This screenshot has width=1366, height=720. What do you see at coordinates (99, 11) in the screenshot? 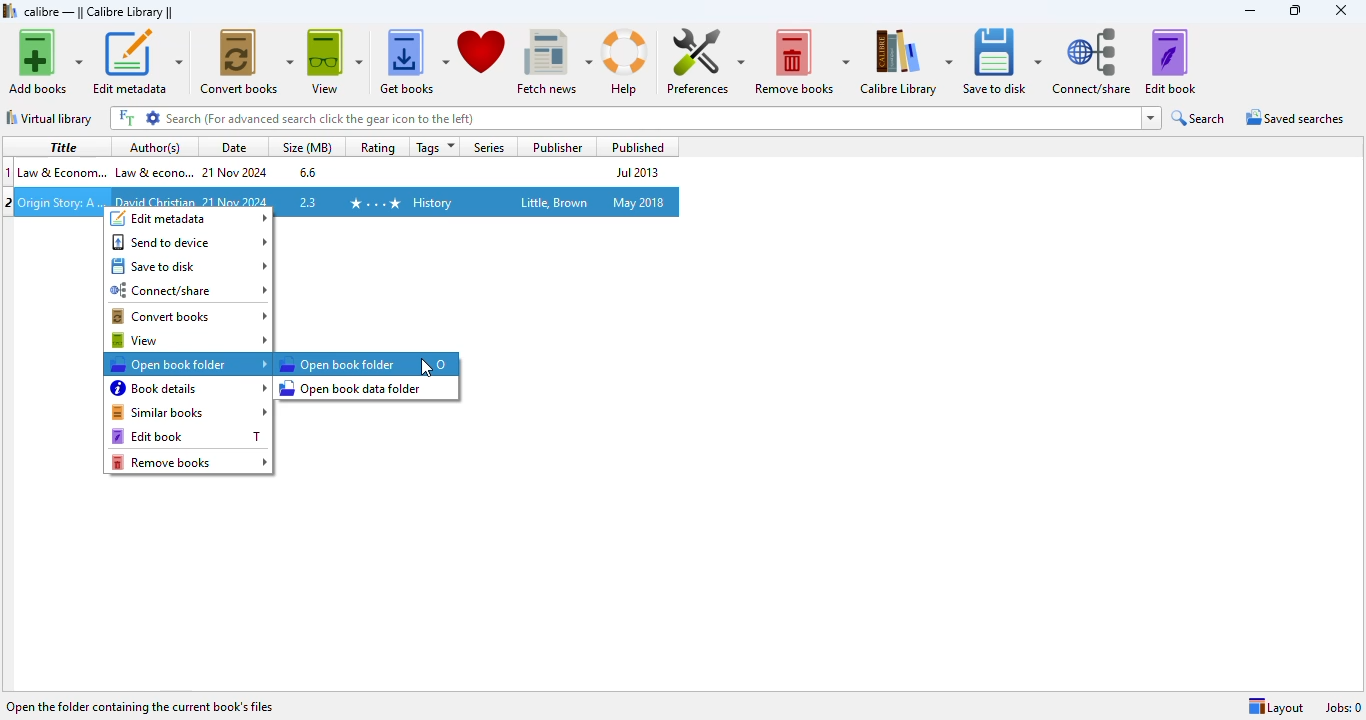
I see `calibre library` at bounding box center [99, 11].